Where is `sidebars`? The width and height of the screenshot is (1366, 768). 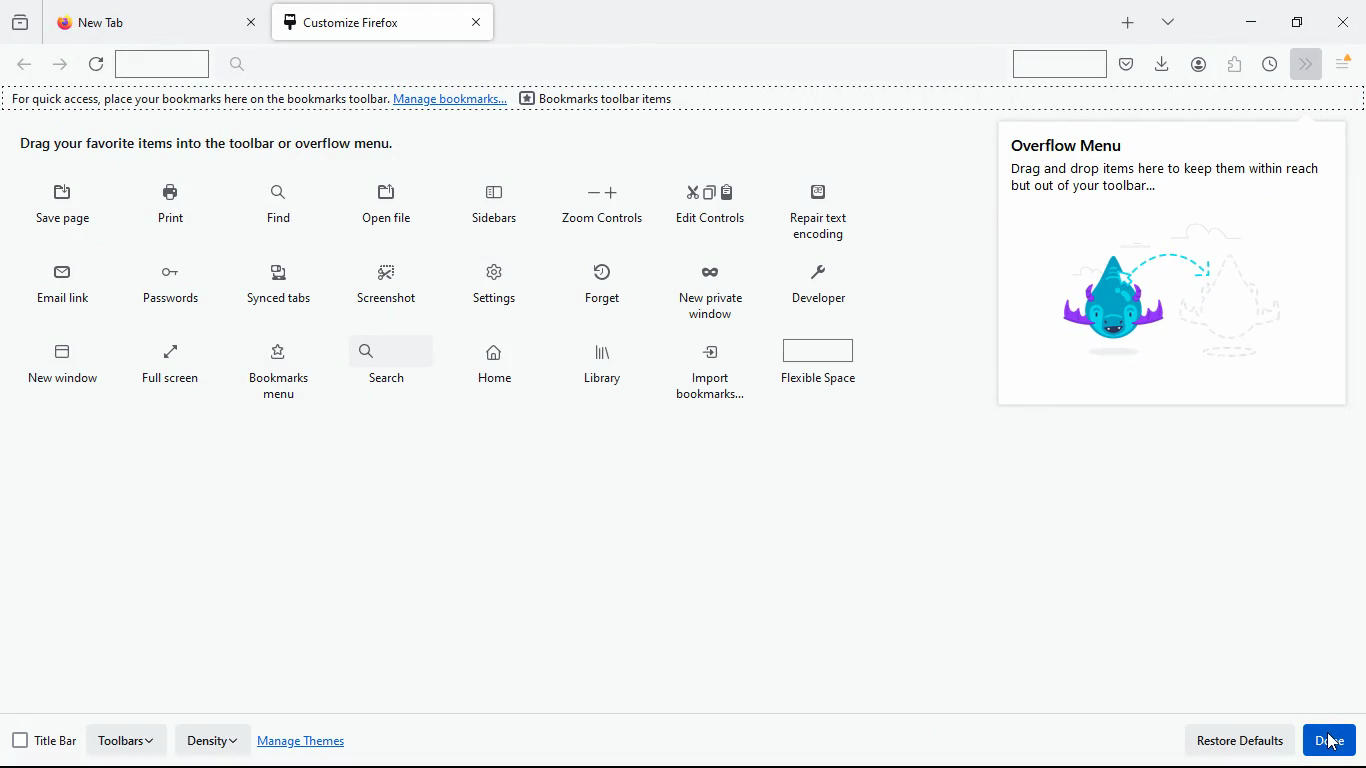
sidebars is located at coordinates (600, 205).